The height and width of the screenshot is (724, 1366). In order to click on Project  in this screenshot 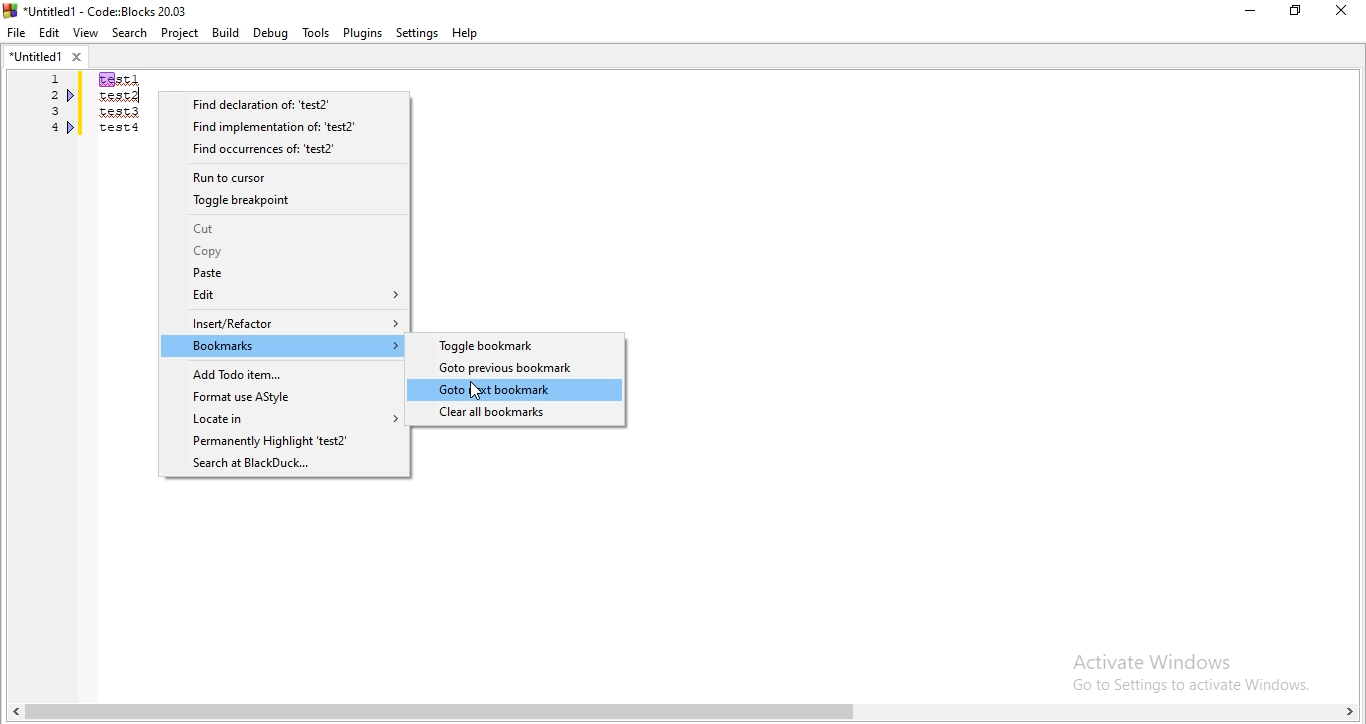, I will do `click(179, 33)`.